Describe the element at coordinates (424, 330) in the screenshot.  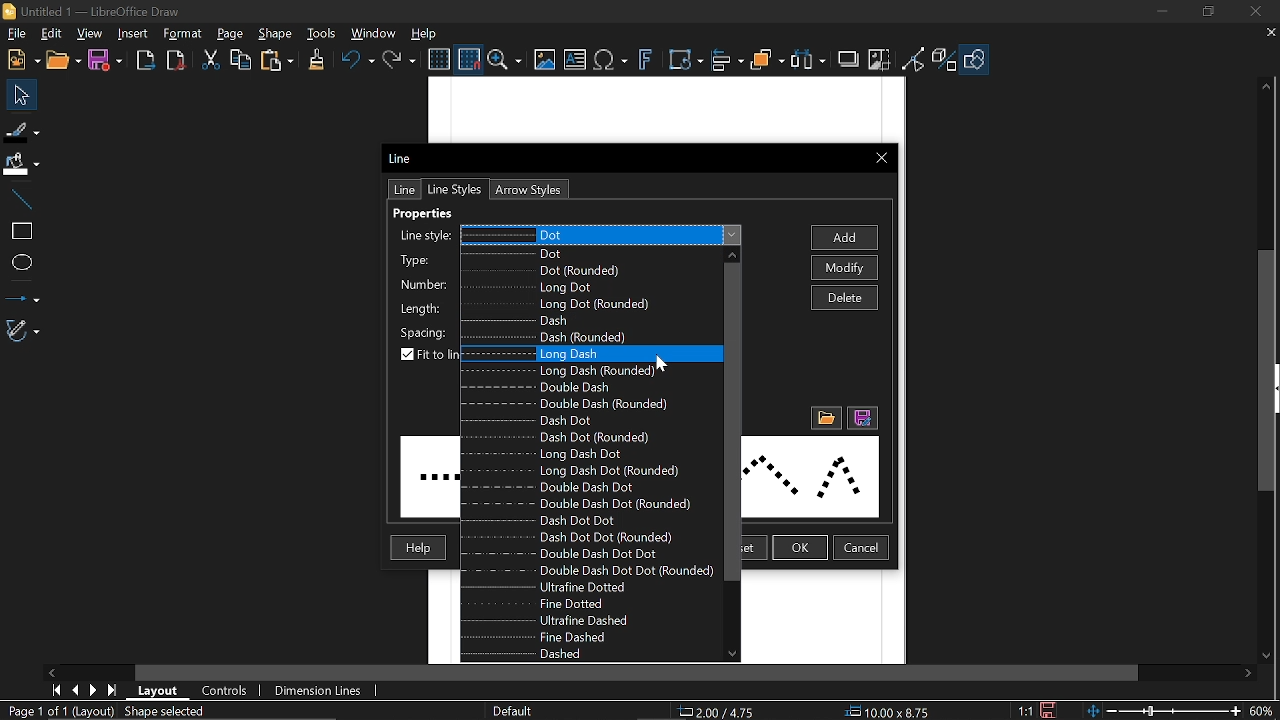
I see `Spacing:` at that location.